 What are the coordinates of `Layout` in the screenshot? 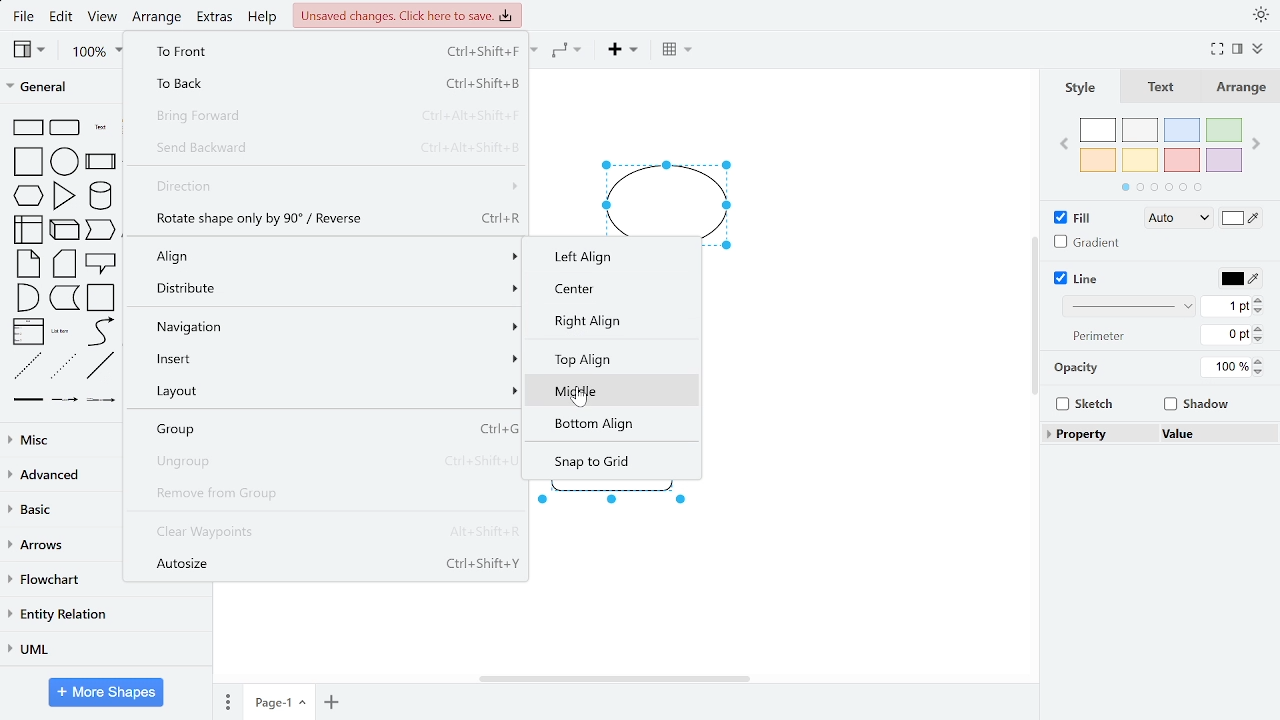 It's located at (326, 391).